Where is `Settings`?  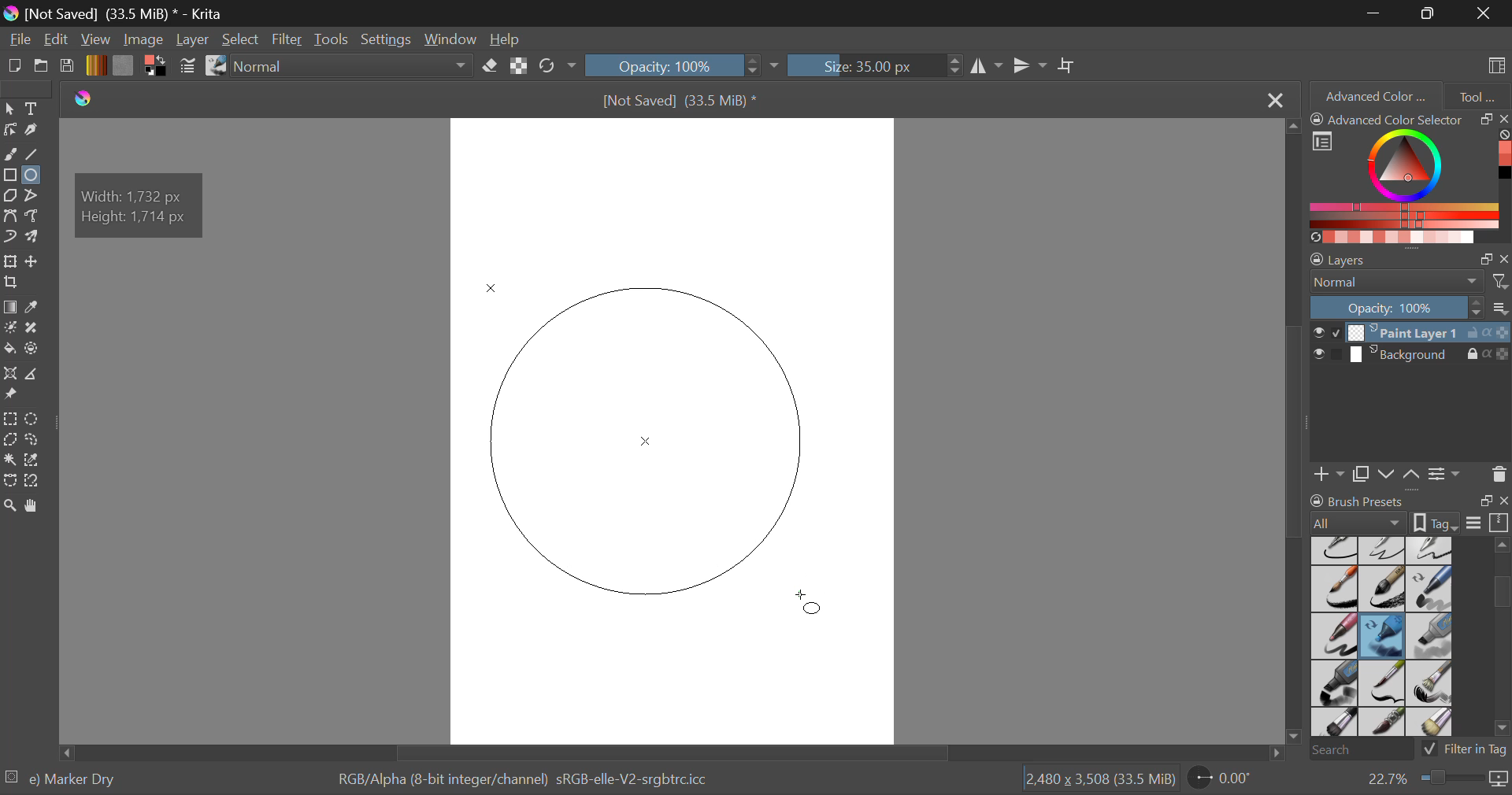 Settings is located at coordinates (1444, 473).